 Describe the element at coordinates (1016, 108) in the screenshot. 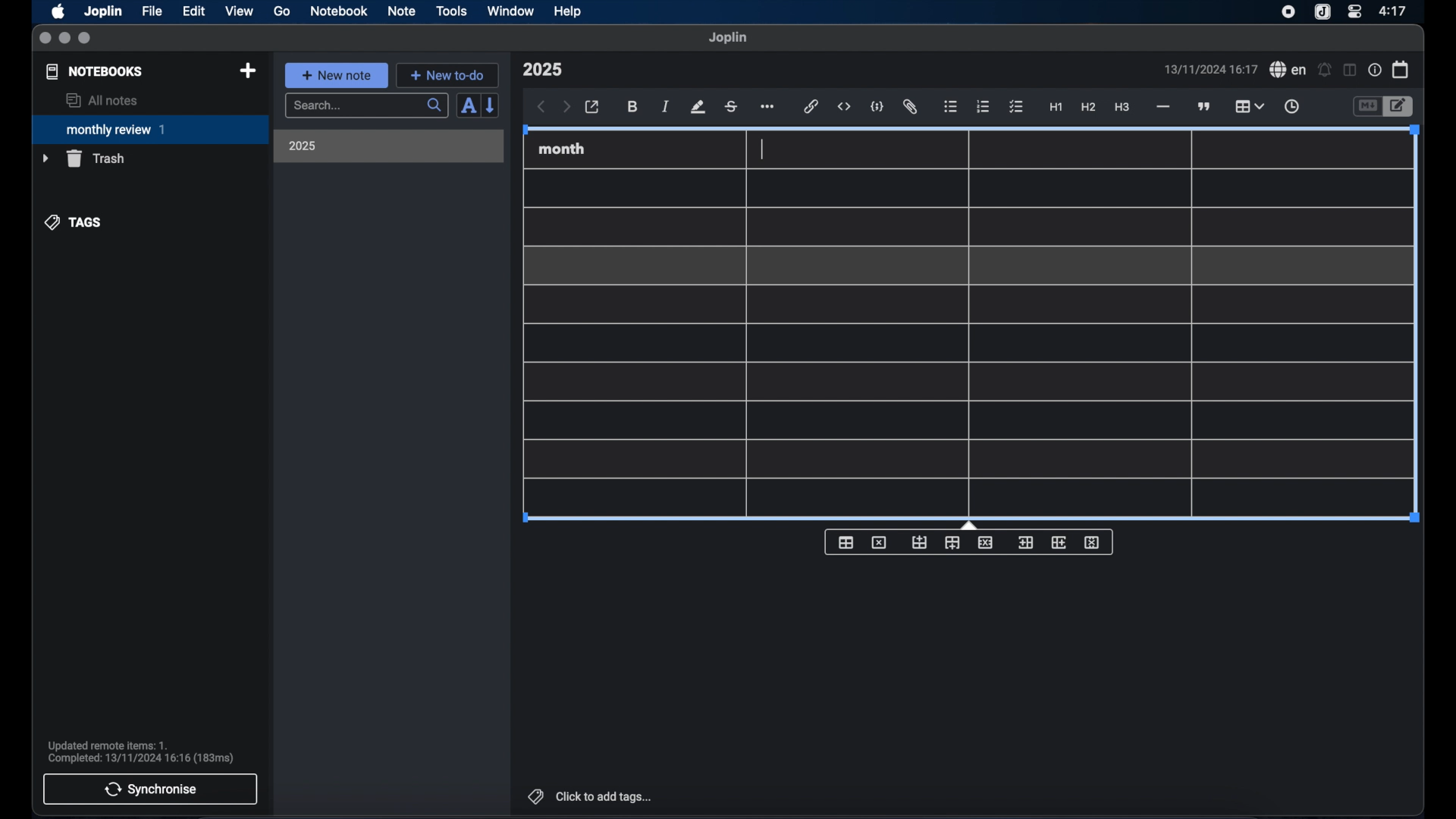

I see `check  list` at that location.